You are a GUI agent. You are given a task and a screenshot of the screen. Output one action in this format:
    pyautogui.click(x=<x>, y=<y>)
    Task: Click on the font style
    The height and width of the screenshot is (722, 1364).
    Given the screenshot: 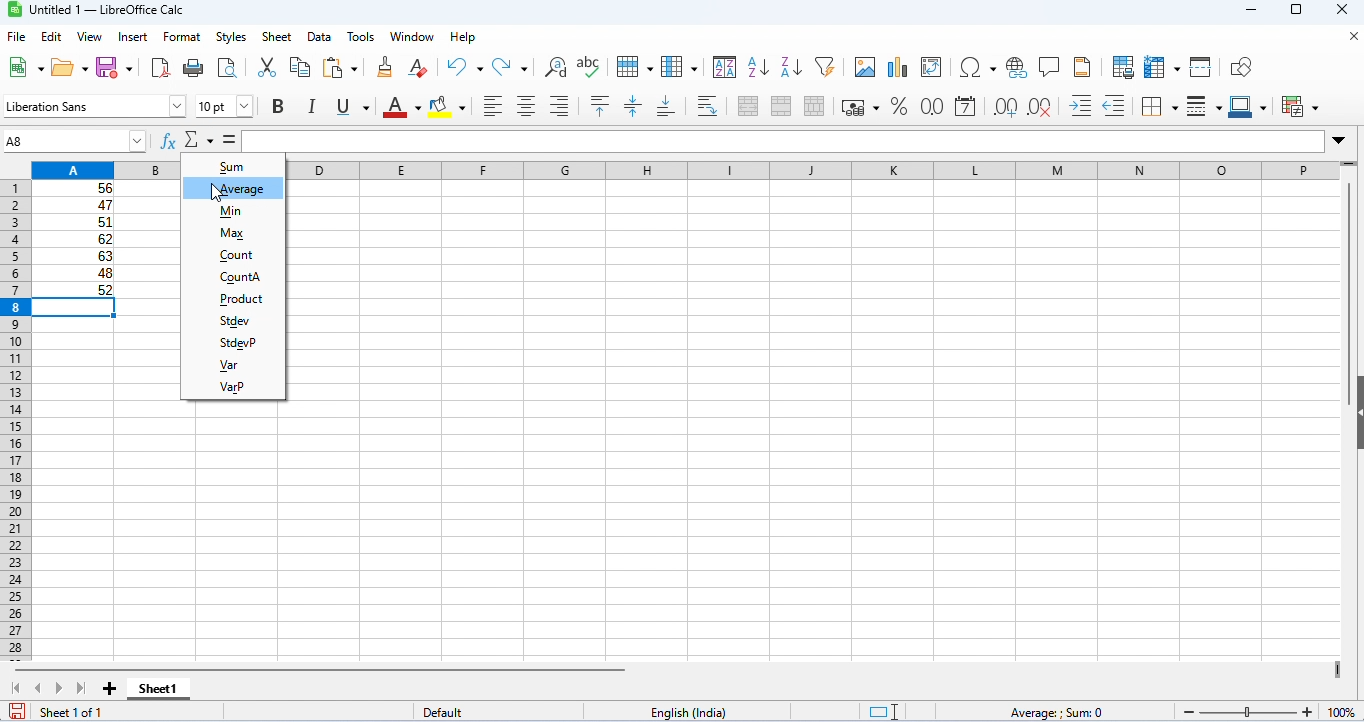 What is the action you would take?
    pyautogui.click(x=92, y=107)
    